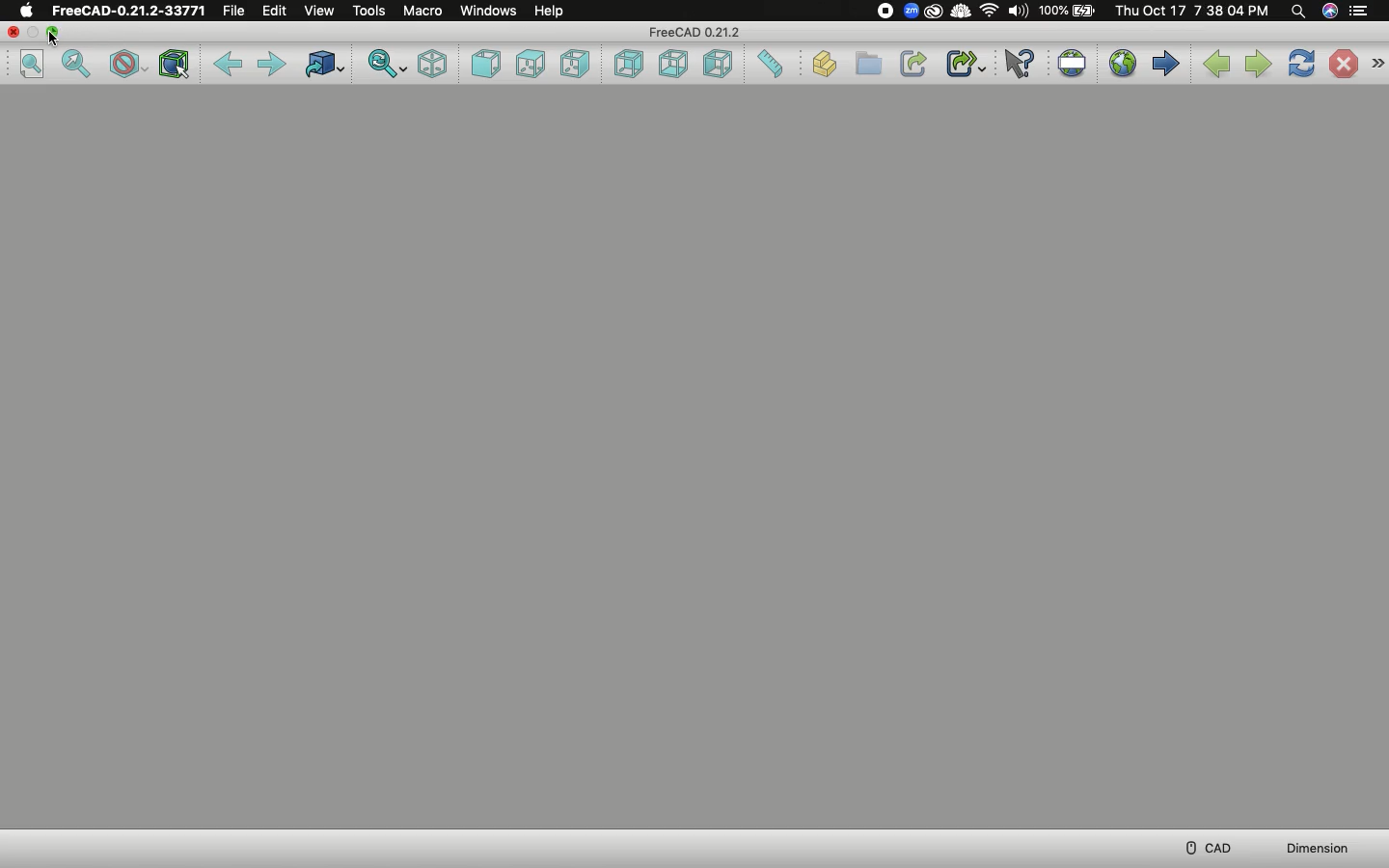  What do you see at coordinates (885, 12) in the screenshot?
I see `Recording` at bounding box center [885, 12].